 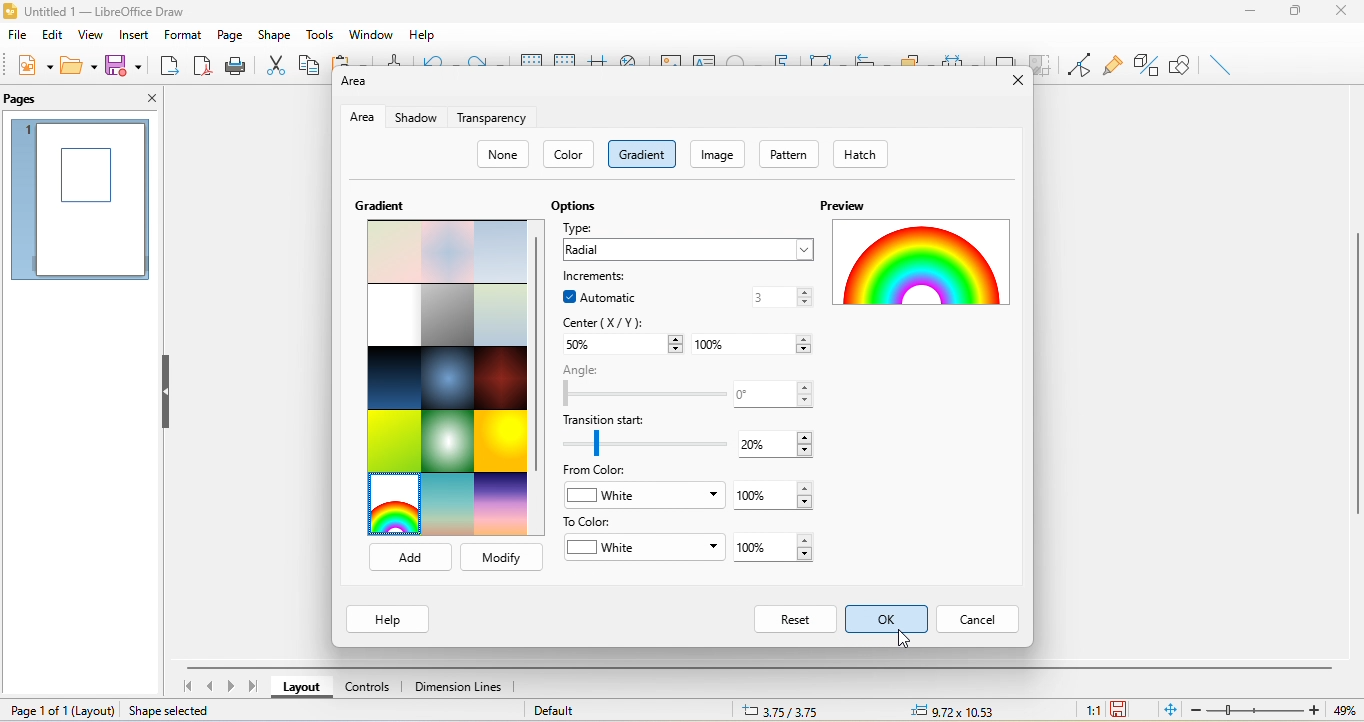 What do you see at coordinates (181, 32) in the screenshot?
I see `format` at bounding box center [181, 32].